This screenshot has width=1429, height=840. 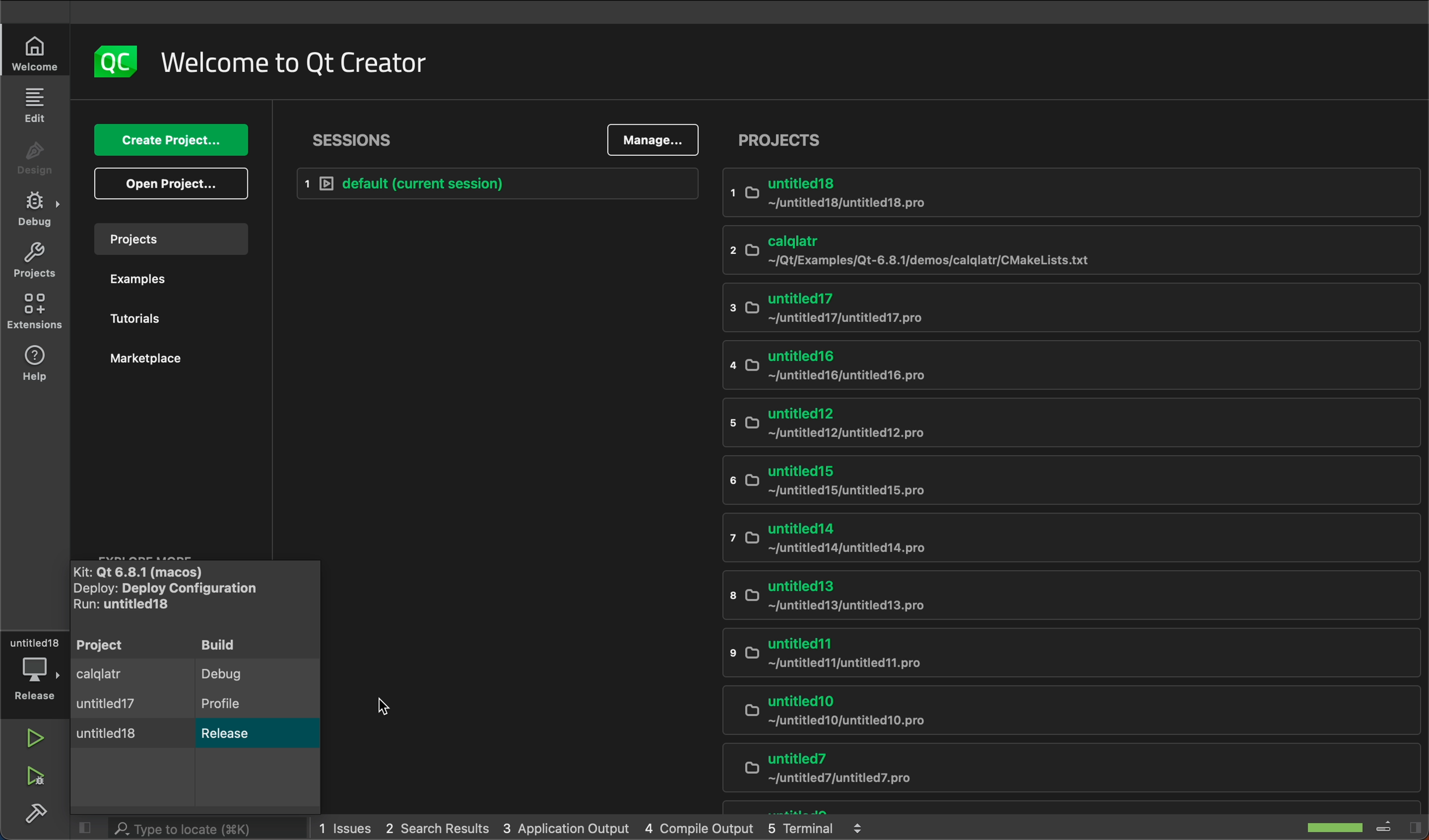 What do you see at coordinates (40, 777) in the screenshot?
I see `run and debug` at bounding box center [40, 777].